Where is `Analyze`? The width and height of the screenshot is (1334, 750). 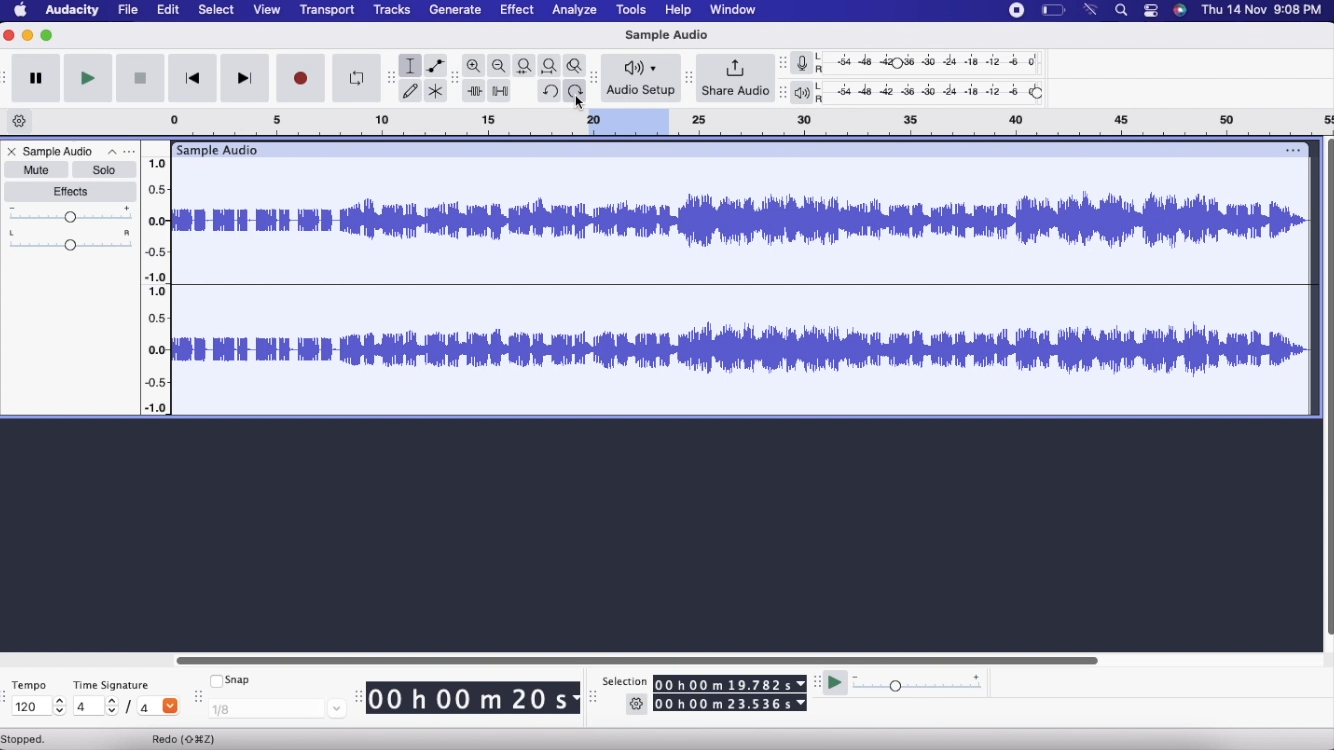
Analyze is located at coordinates (575, 10).